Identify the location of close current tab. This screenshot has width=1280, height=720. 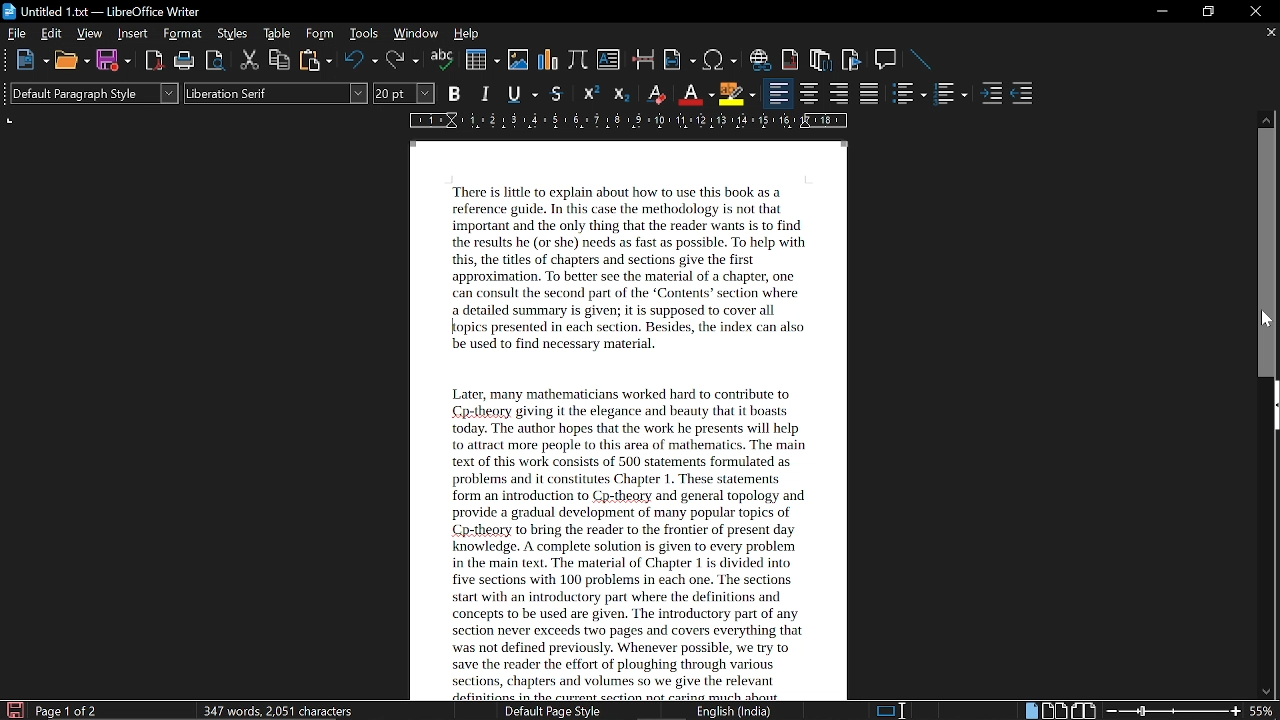
(1269, 35).